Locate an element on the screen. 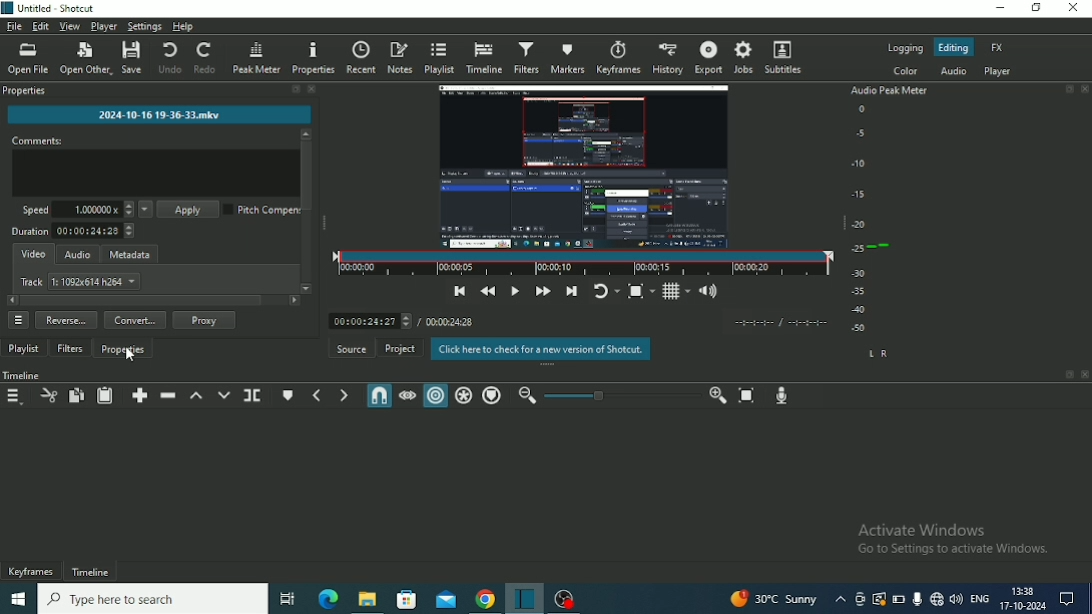  Properties is located at coordinates (312, 57).